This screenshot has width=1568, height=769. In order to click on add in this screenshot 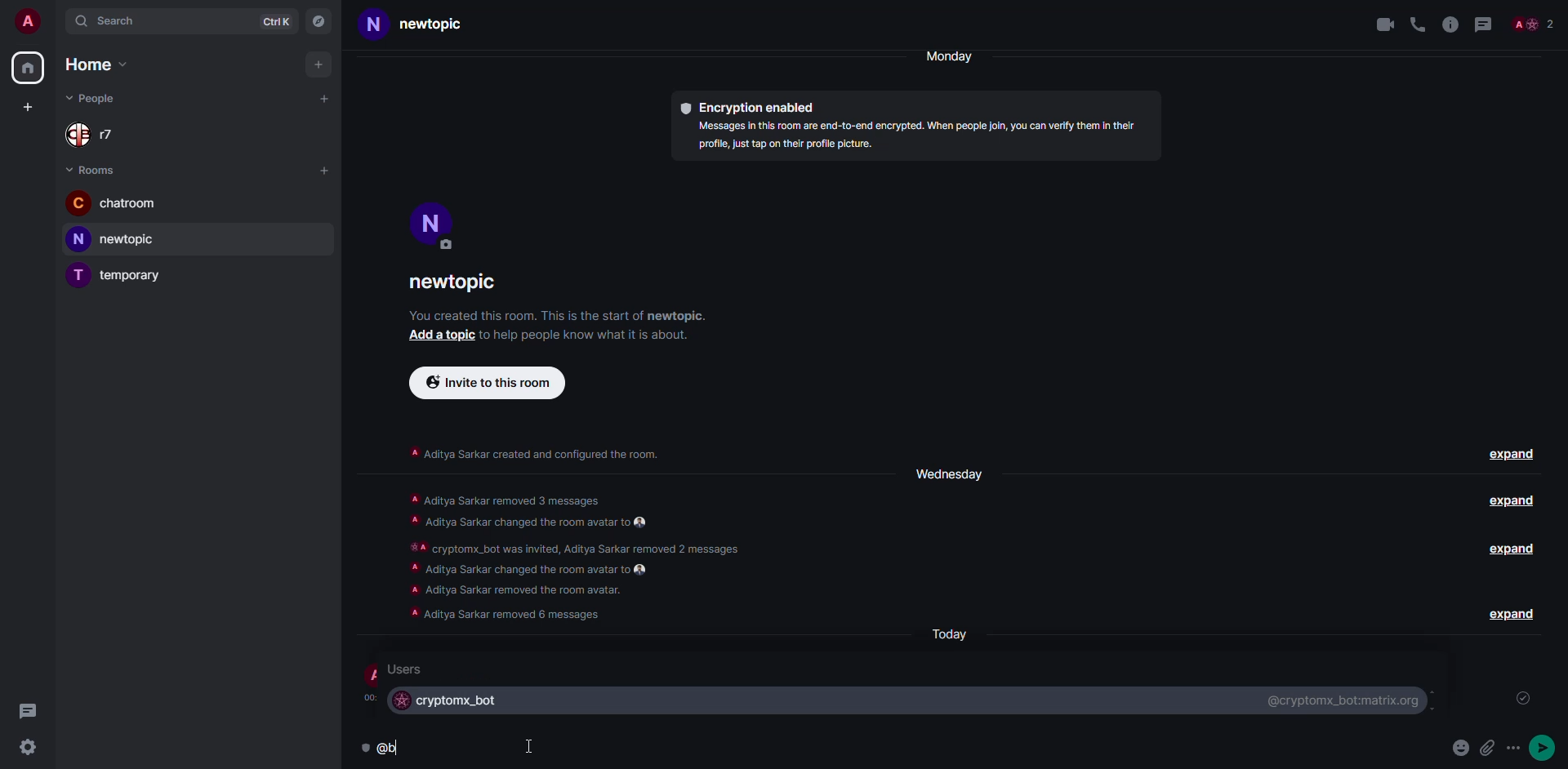, I will do `click(324, 100)`.